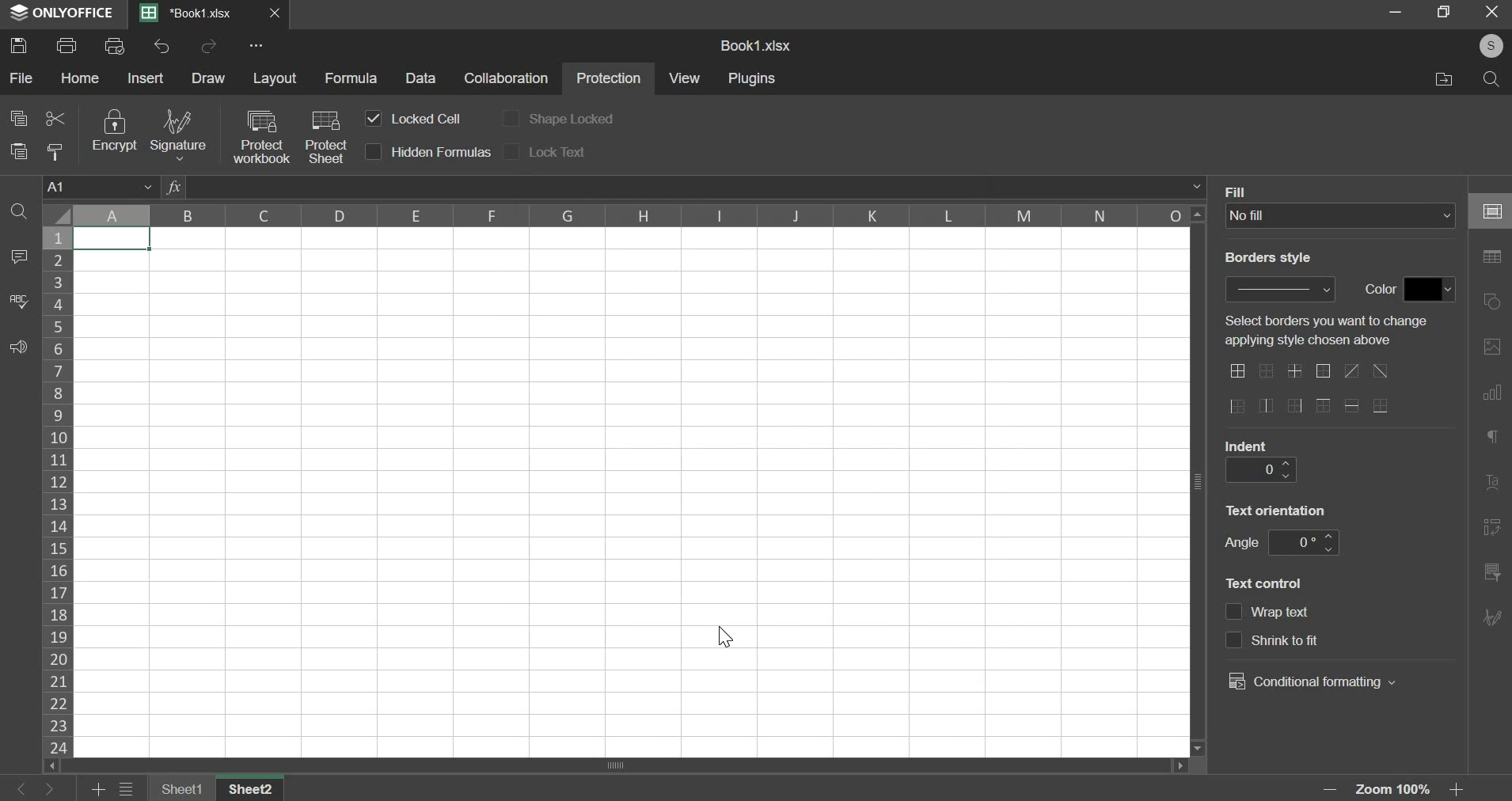 This screenshot has width=1512, height=801. Describe the element at coordinates (1486, 47) in the screenshot. I see `Profile Pic` at that location.